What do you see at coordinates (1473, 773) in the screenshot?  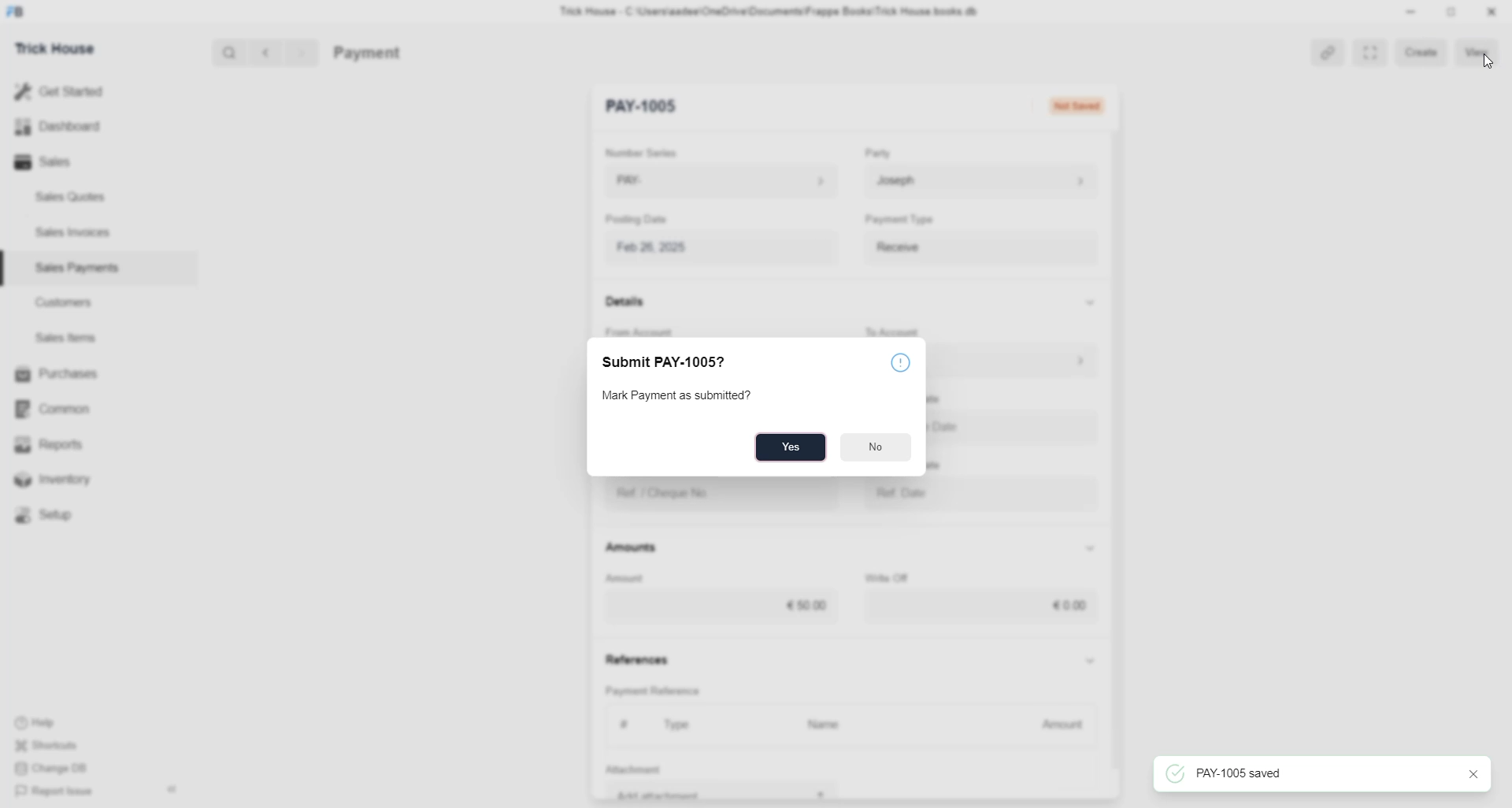 I see `close` at bounding box center [1473, 773].